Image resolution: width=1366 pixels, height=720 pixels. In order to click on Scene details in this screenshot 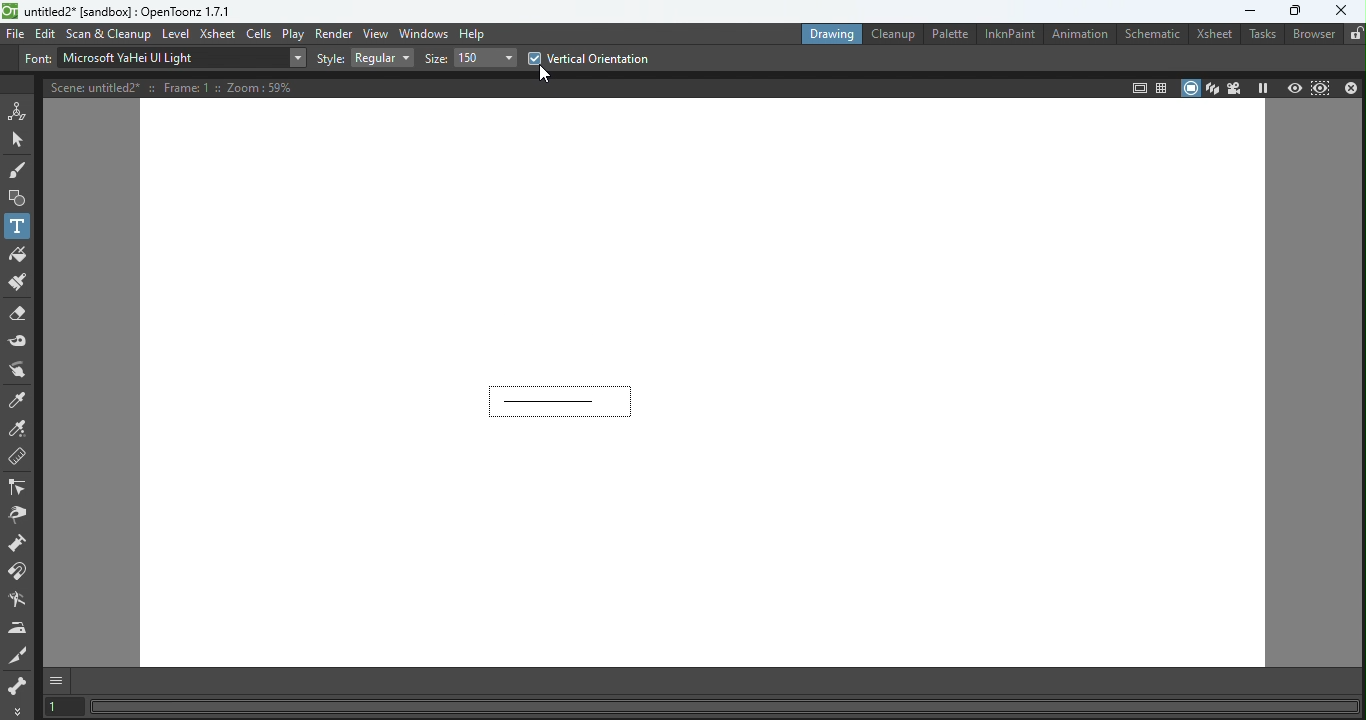, I will do `click(178, 87)`.